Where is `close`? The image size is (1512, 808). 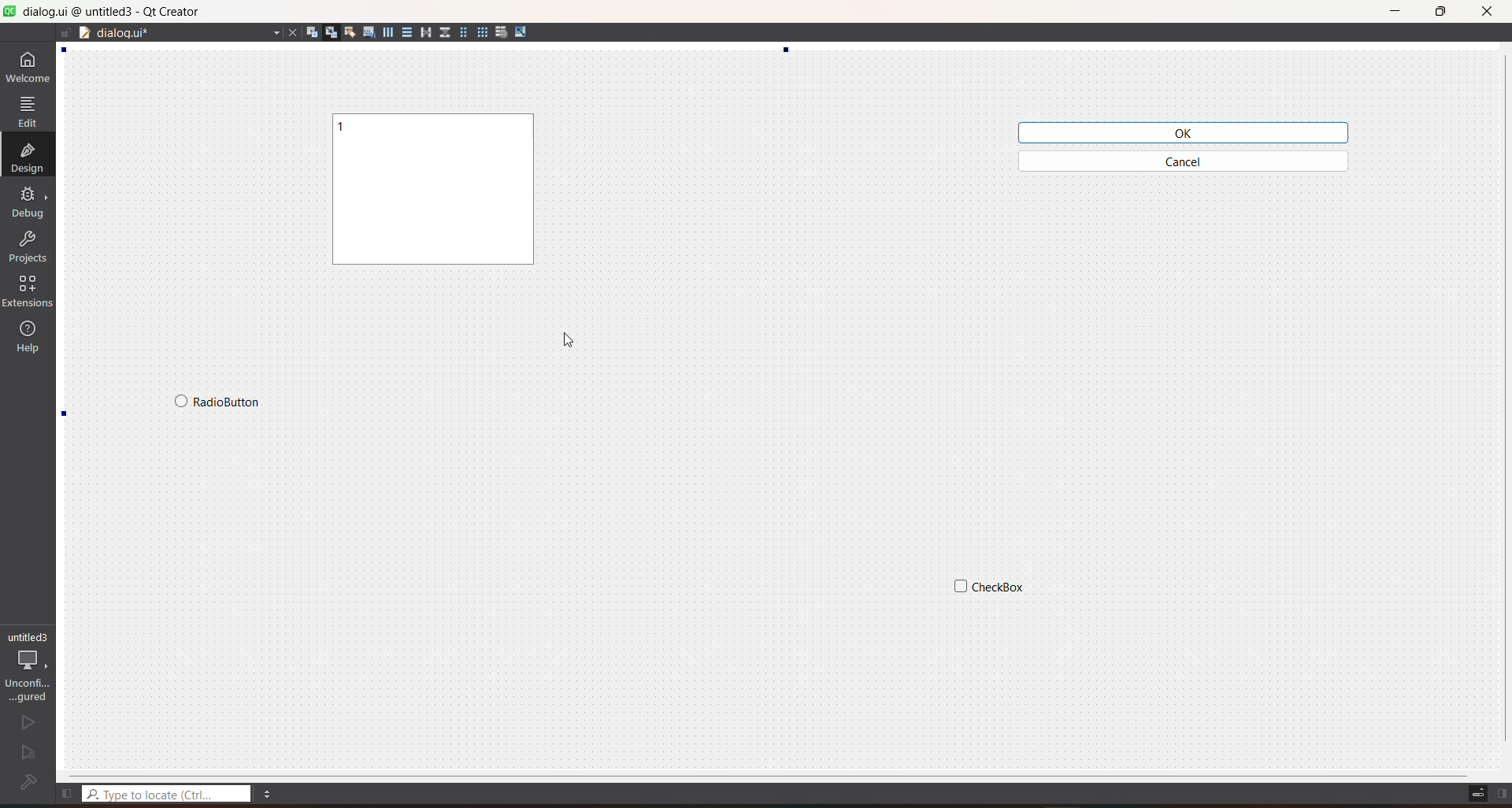
close is located at coordinates (1485, 10).